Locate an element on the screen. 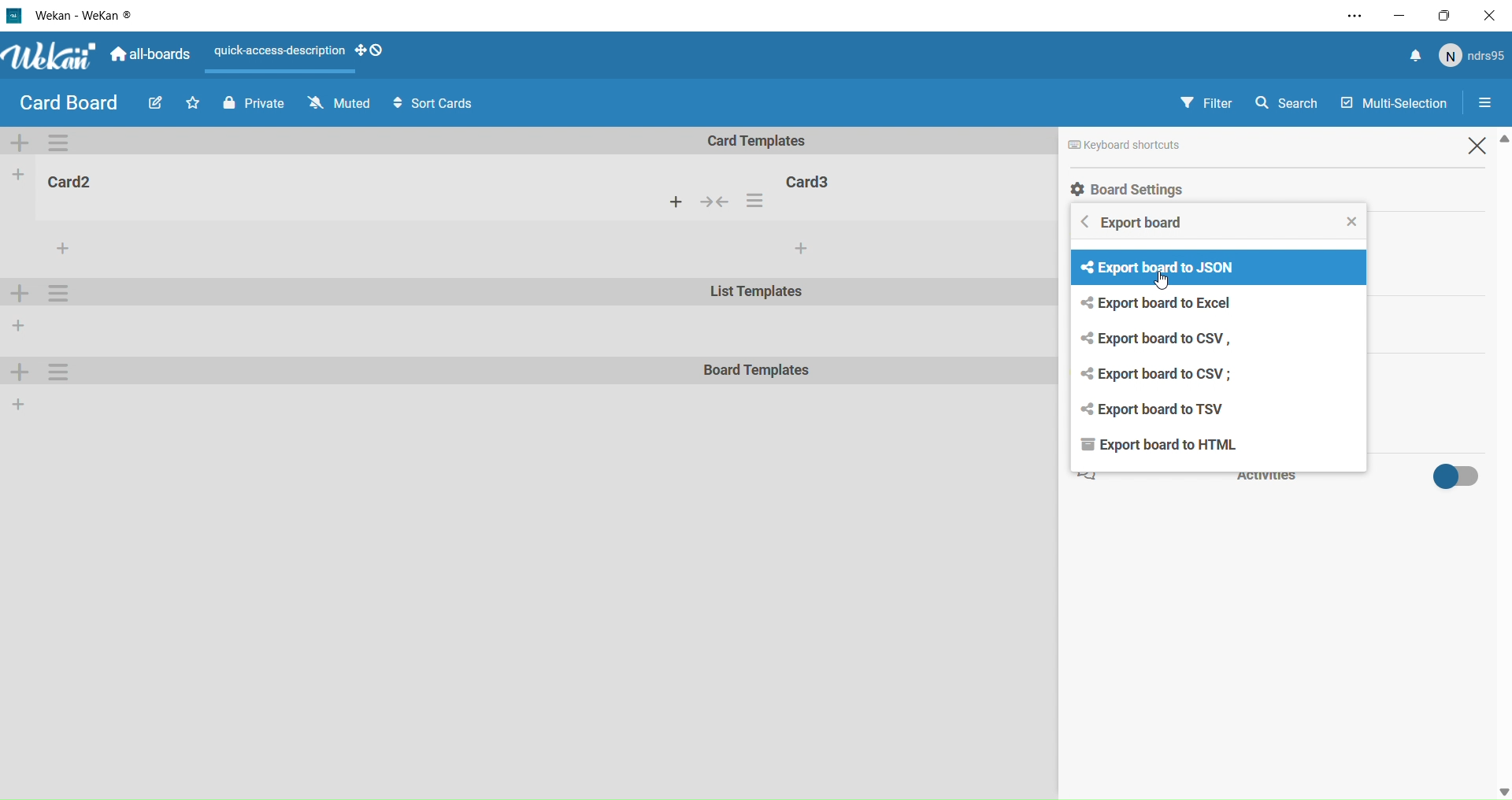 The image size is (1512, 800).  is located at coordinates (149, 57).